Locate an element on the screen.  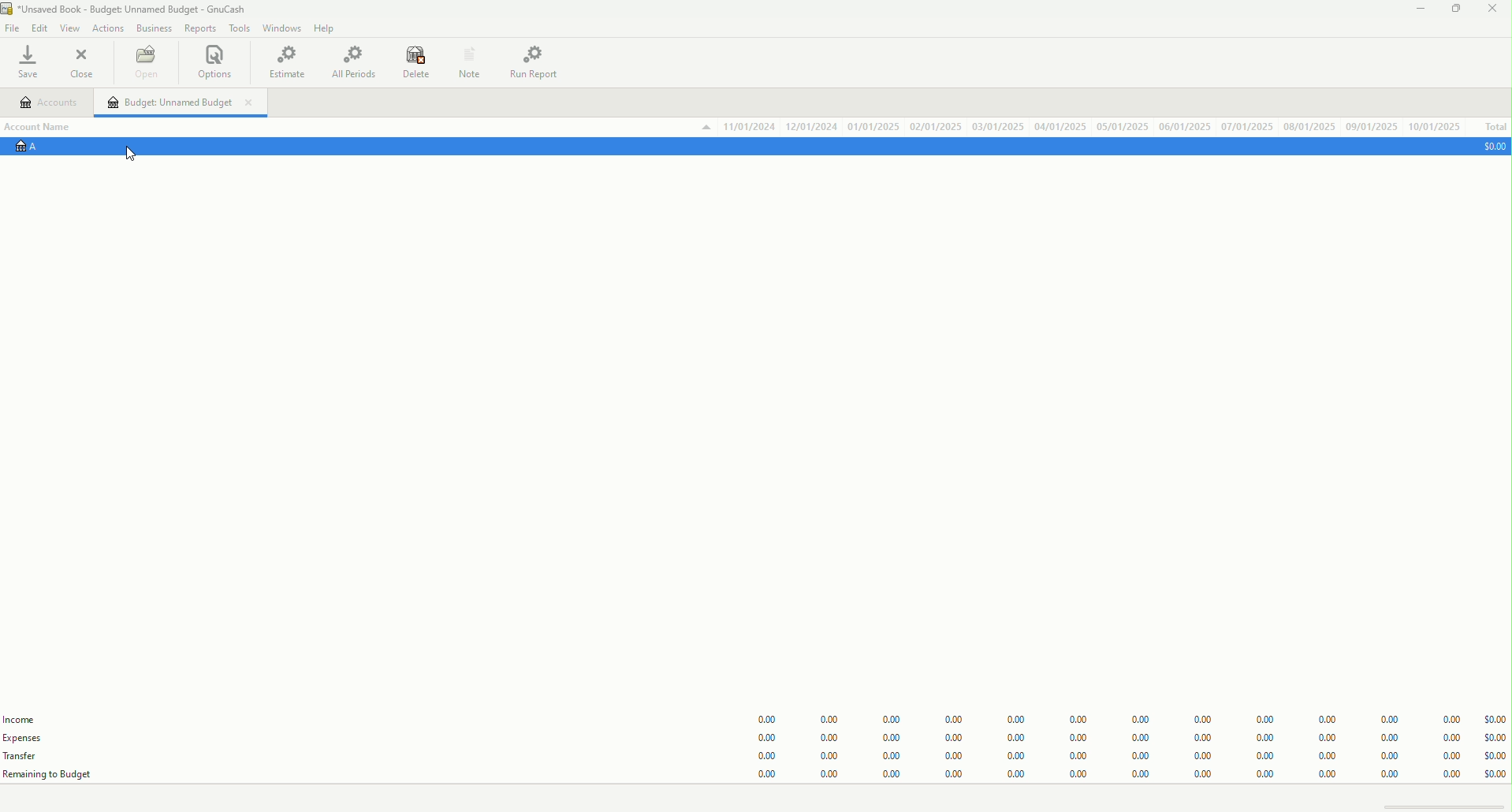
Close is located at coordinates (84, 61).